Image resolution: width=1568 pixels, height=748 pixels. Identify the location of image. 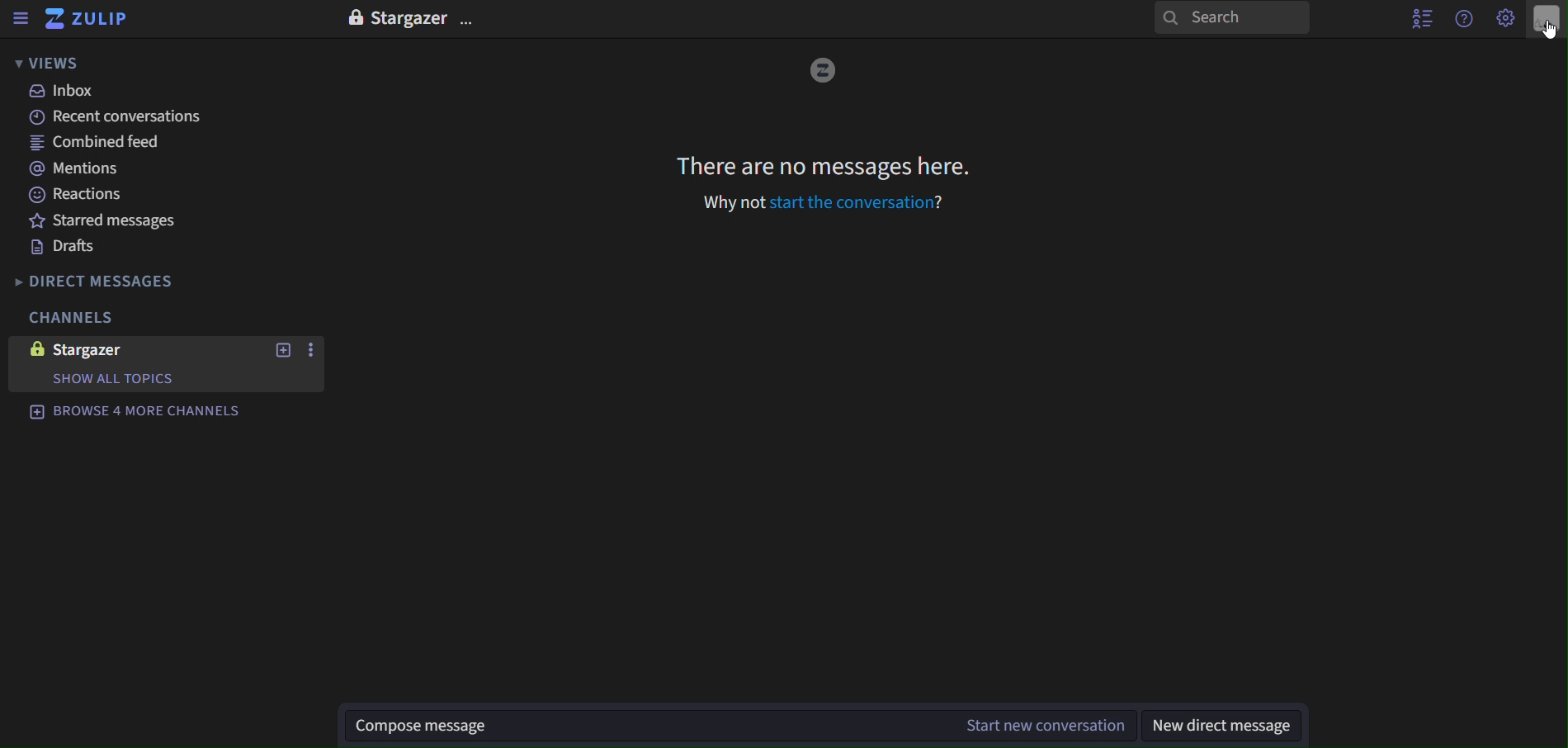
(826, 71).